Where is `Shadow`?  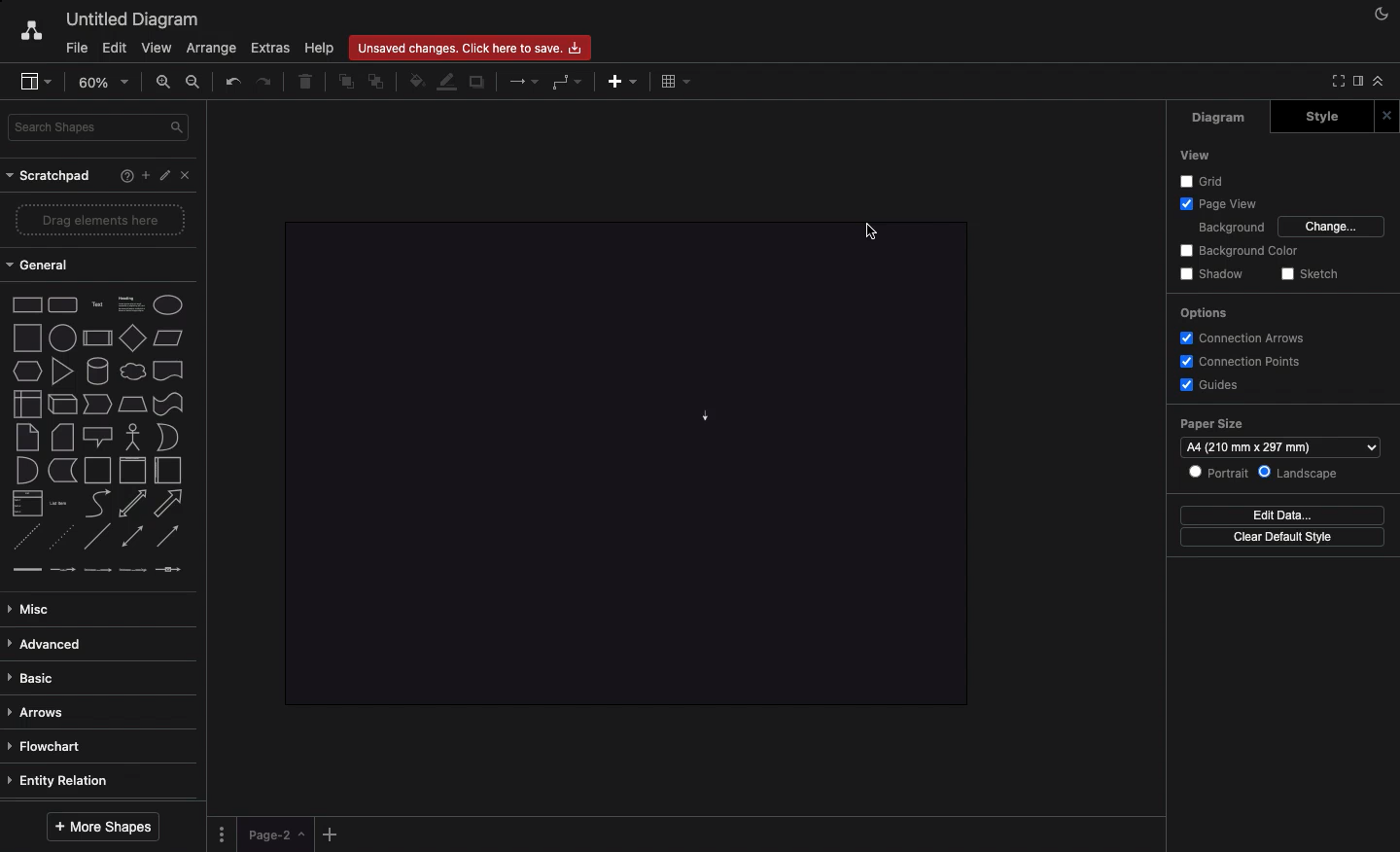 Shadow is located at coordinates (1211, 275).